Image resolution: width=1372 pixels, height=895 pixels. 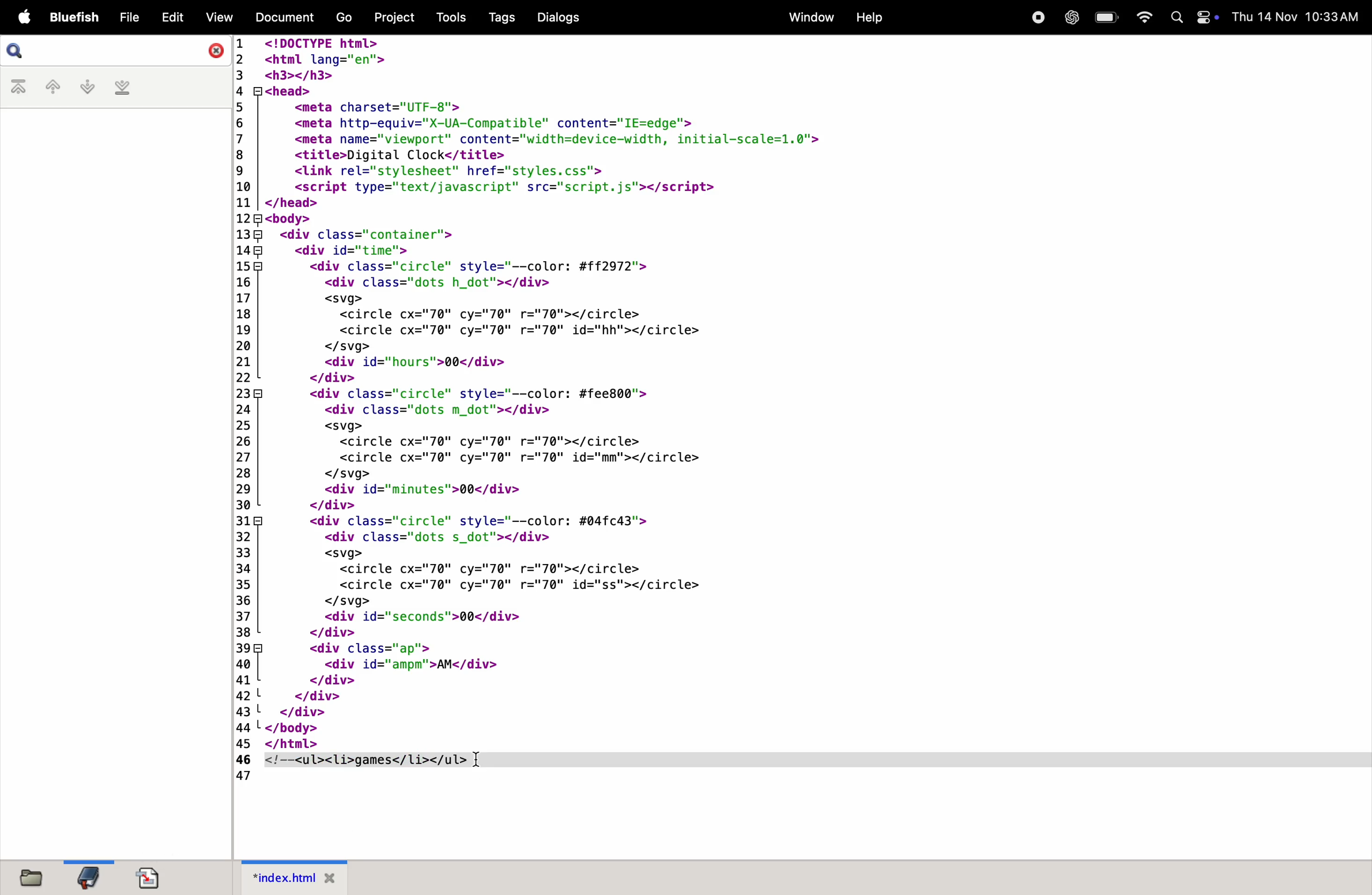 I want to click on window, so click(x=808, y=18).